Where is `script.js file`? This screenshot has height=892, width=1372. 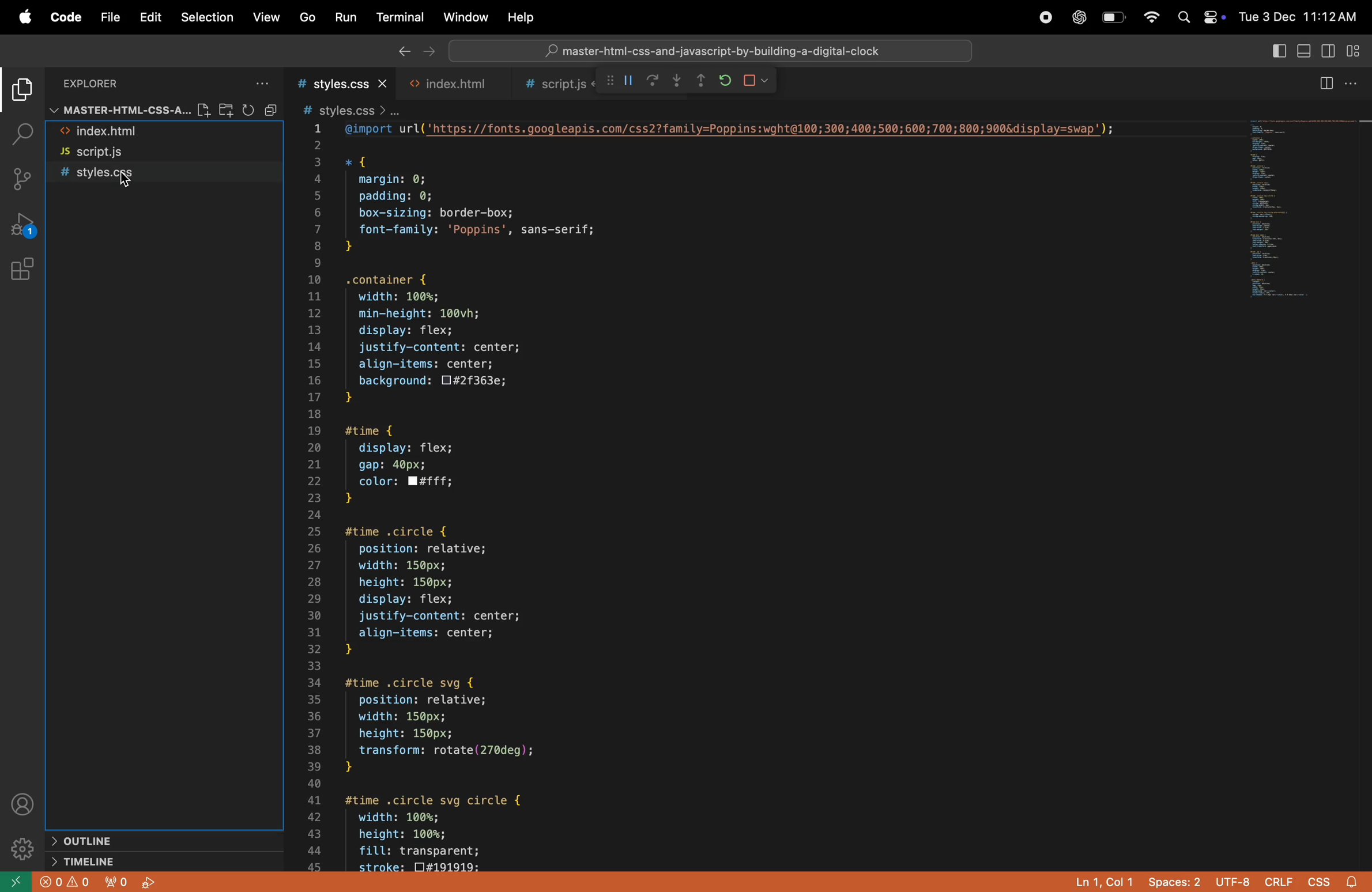
script.js file is located at coordinates (136, 155).